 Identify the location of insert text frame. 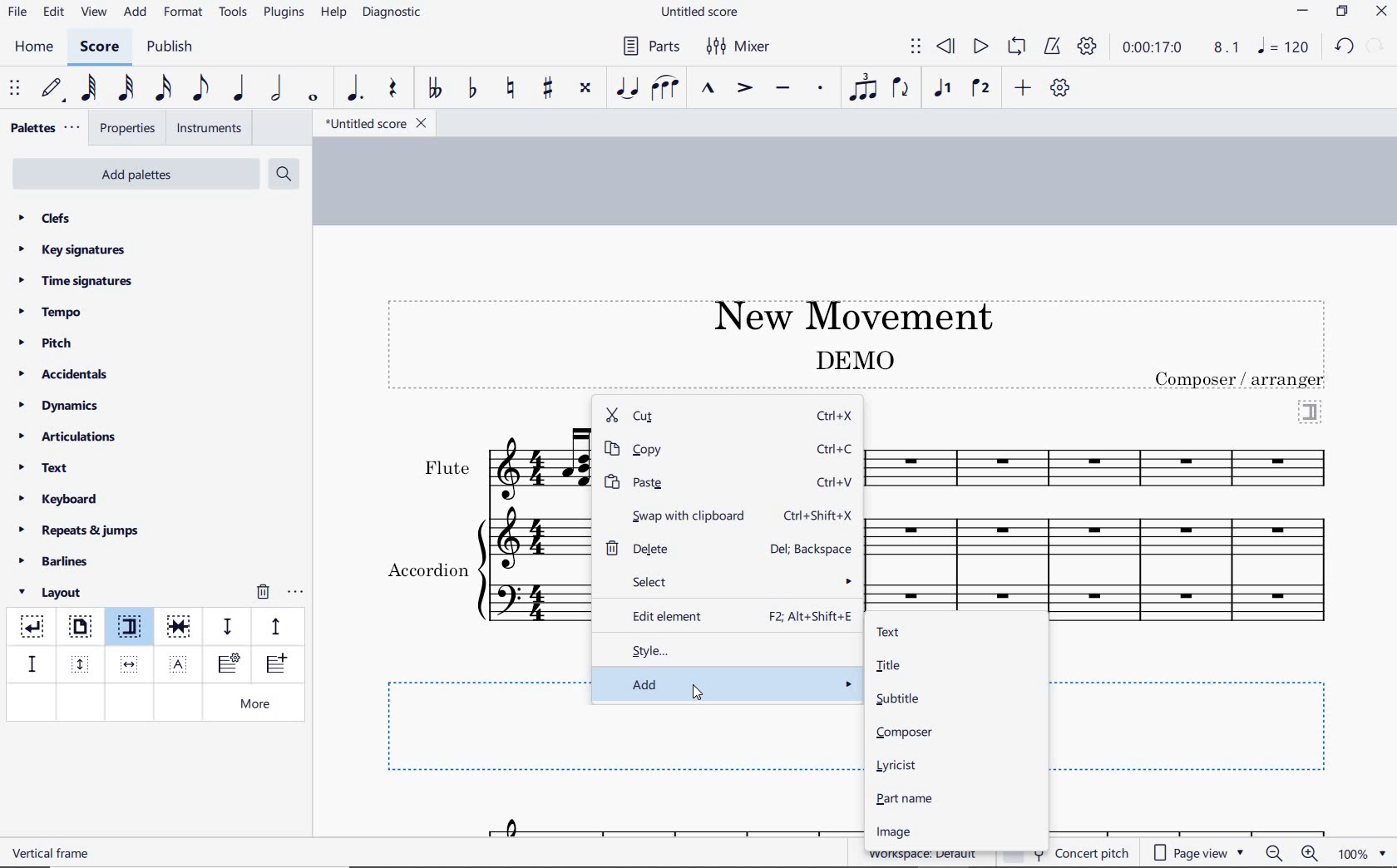
(180, 663).